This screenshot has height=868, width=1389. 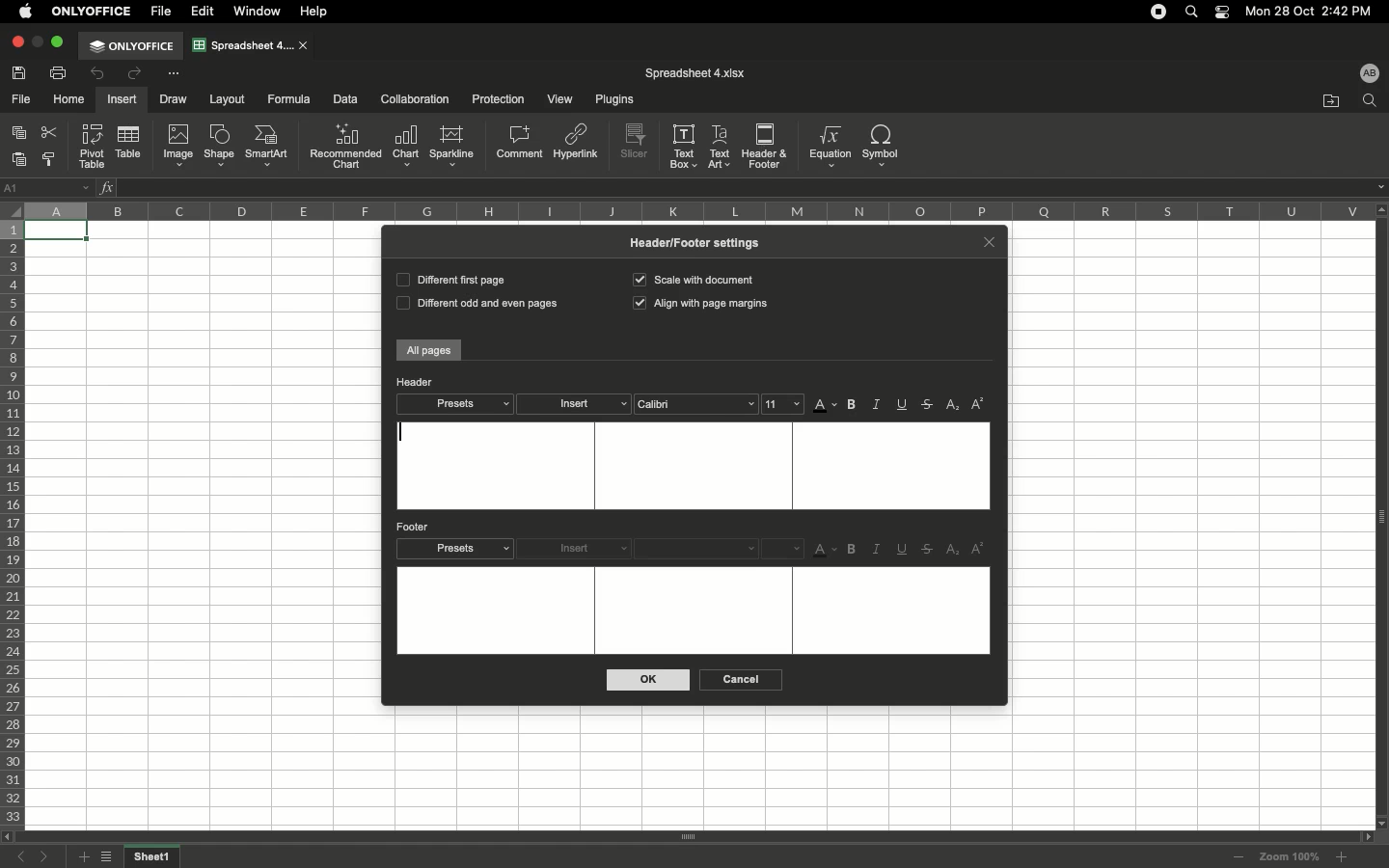 What do you see at coordinates (163, 12) in the screenshot?
I see `File` at bounding box center [163, 12].